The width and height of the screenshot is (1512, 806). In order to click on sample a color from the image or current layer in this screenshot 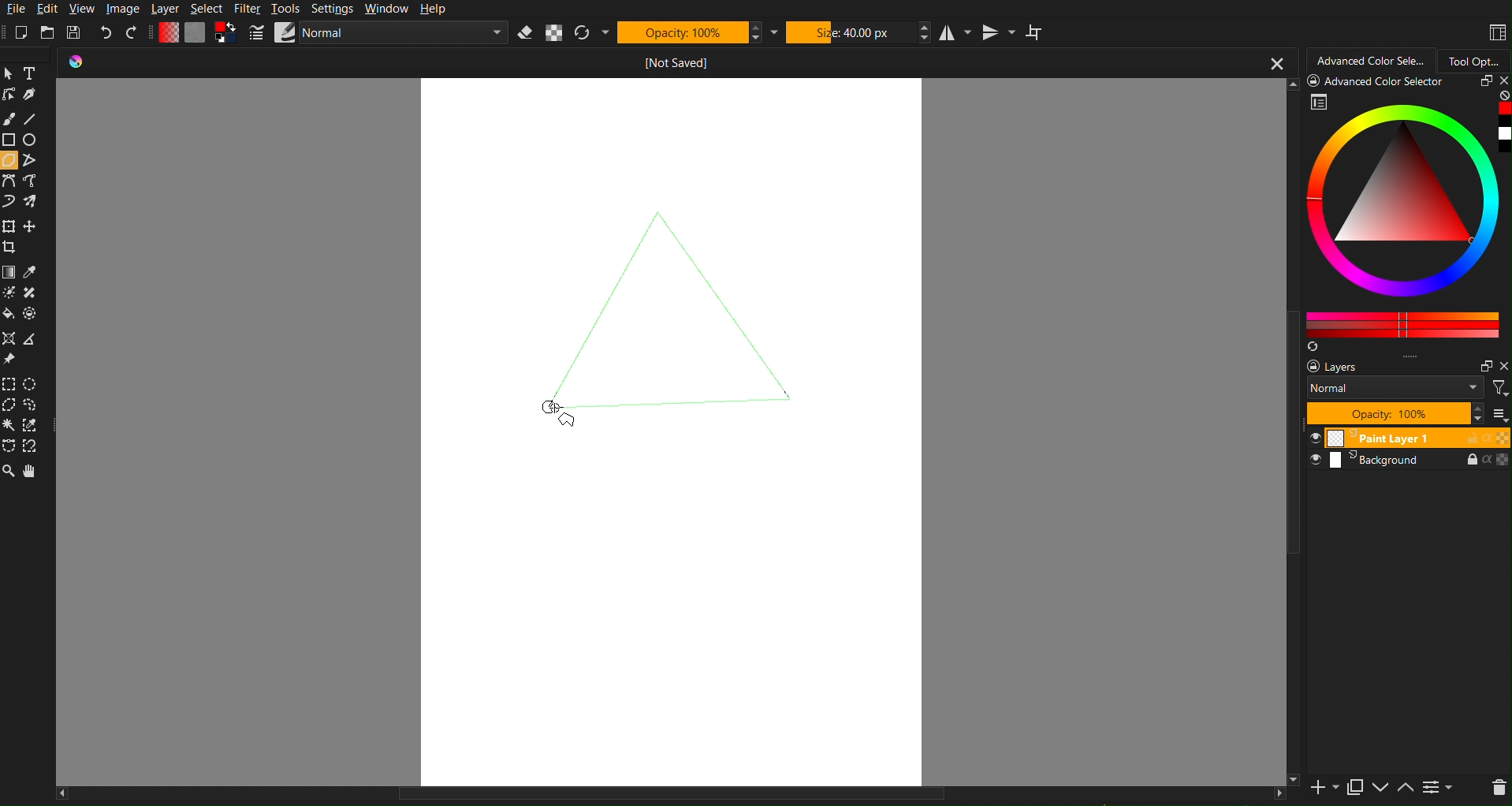, I will do `click(31, 272)`.